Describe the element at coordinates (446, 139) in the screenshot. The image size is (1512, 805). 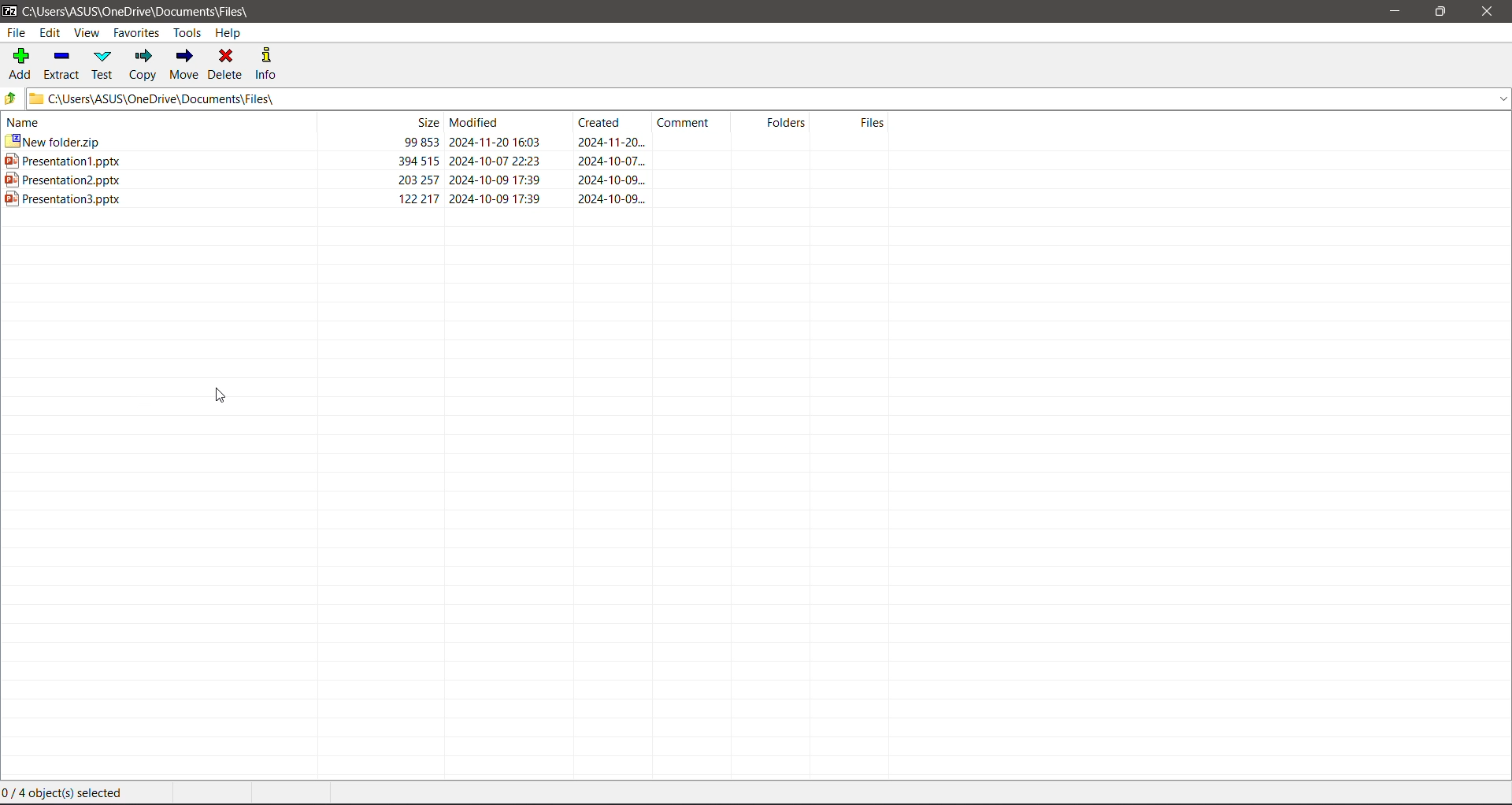
I see `new folder` at that location.